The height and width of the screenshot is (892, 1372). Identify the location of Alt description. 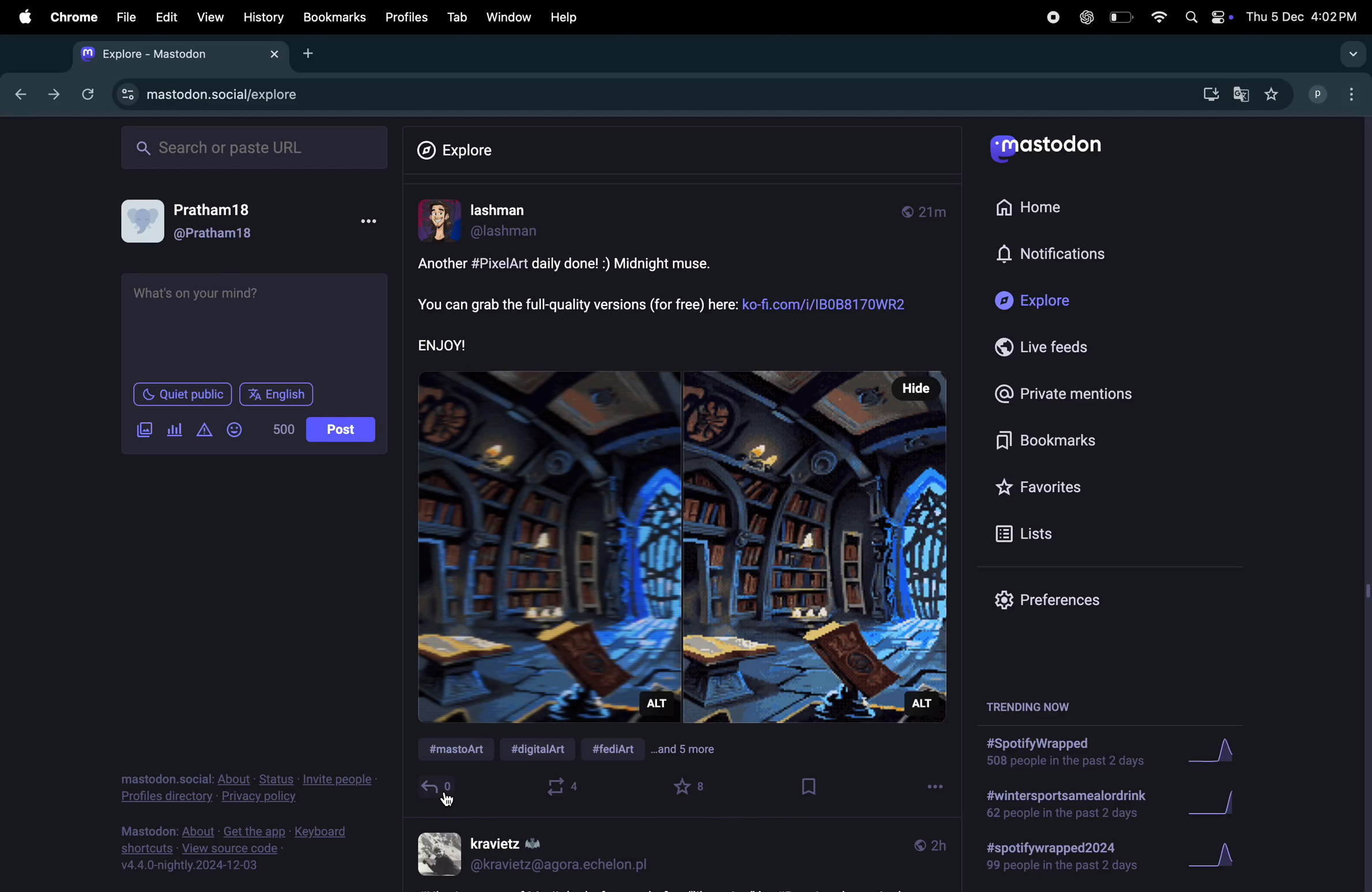
(658, 706).